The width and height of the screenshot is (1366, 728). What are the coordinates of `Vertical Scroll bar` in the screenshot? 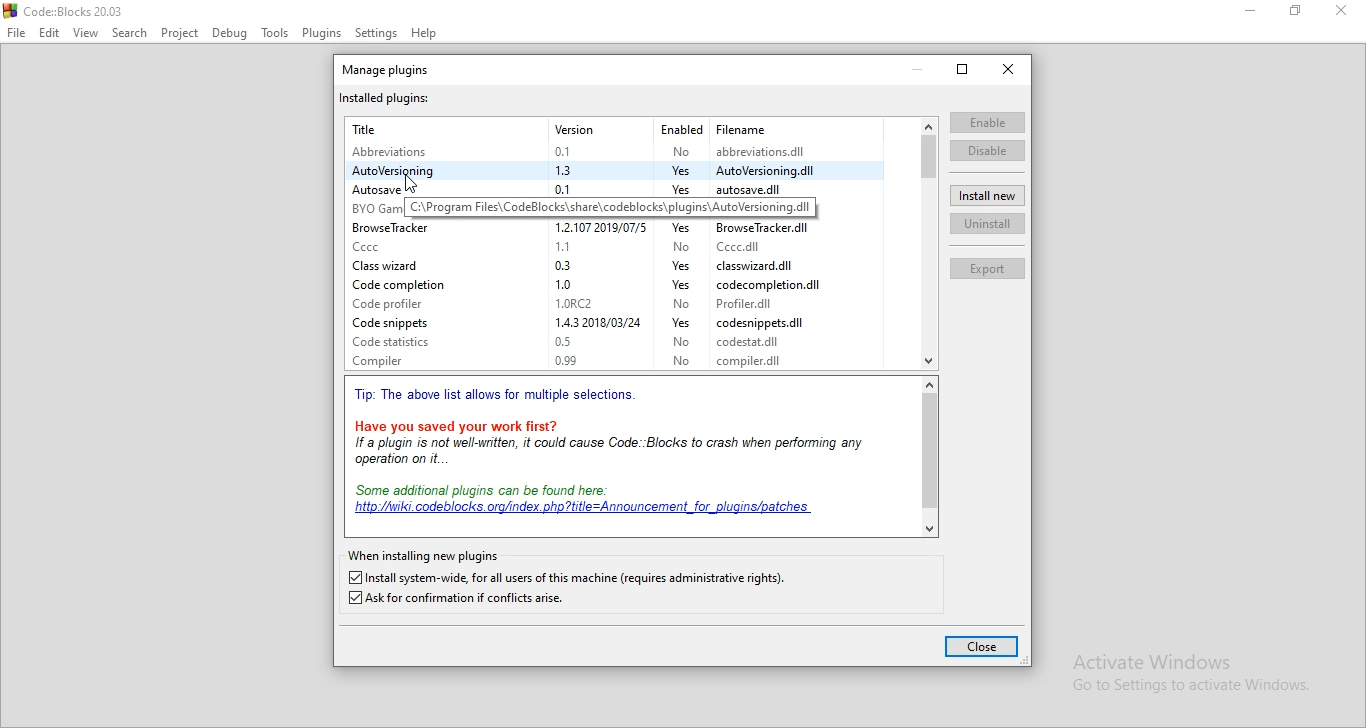 It's located at (929, 450).